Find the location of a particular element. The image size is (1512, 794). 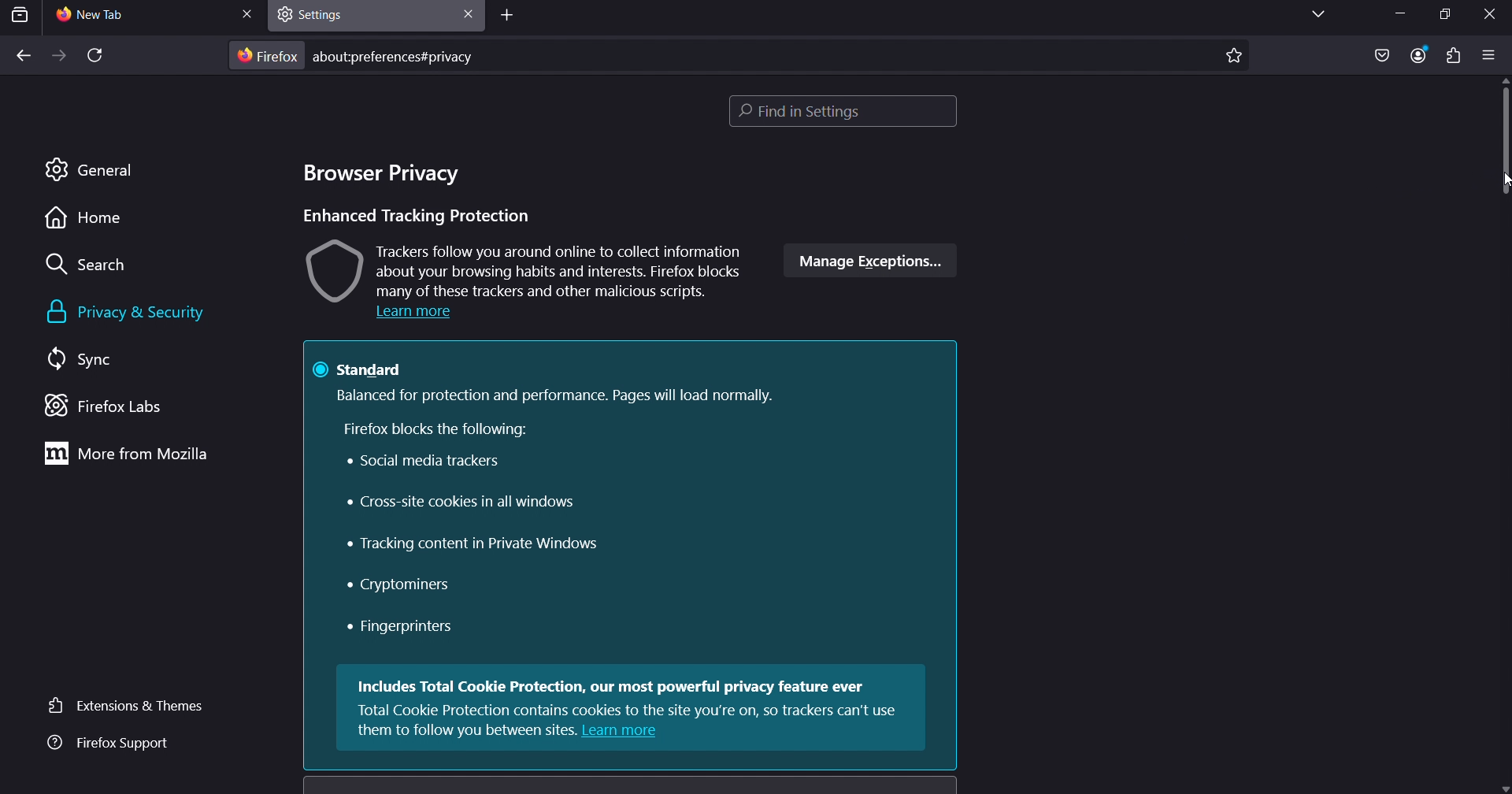

restore down is located at coordinates (1438, 14).